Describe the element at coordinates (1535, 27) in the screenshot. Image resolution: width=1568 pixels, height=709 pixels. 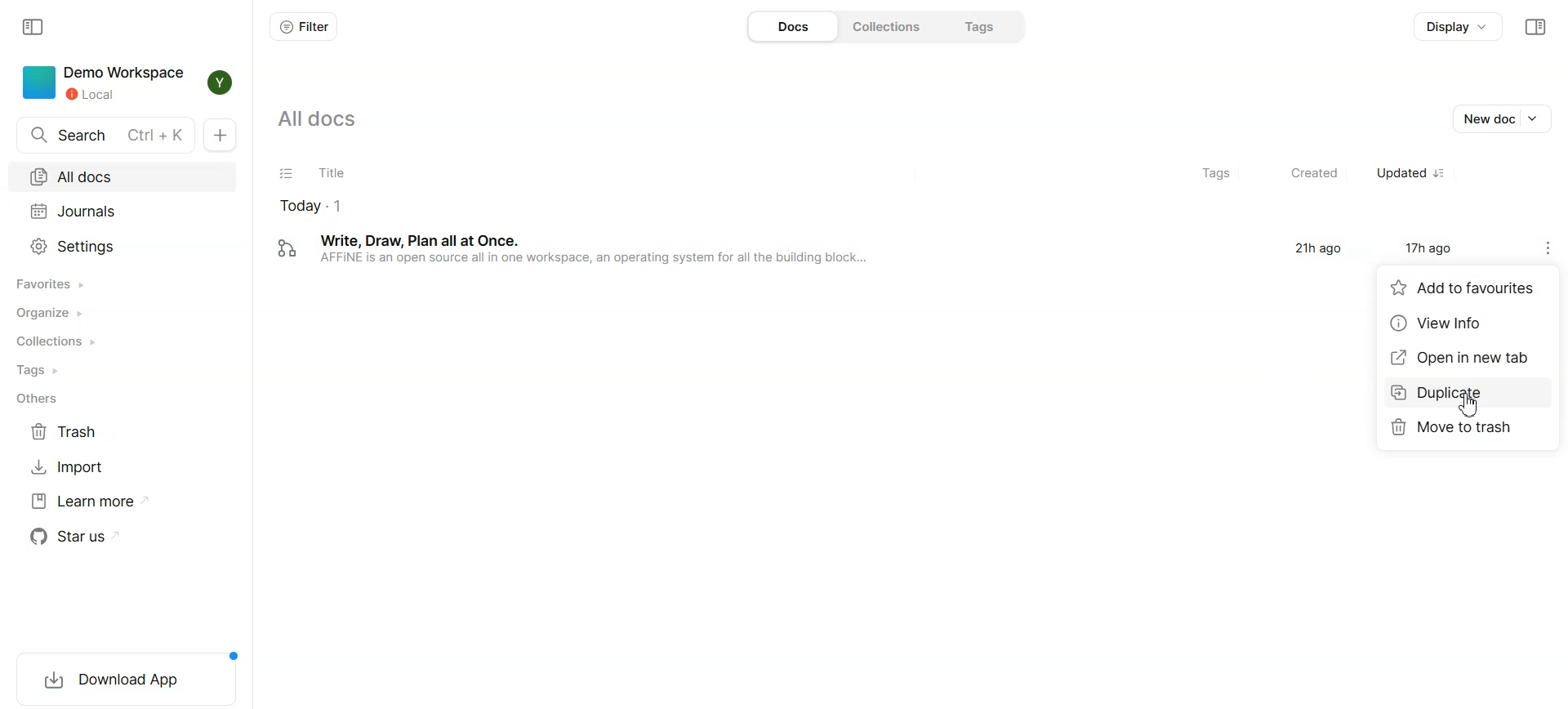
I see `Collapse sidebar` at that location.